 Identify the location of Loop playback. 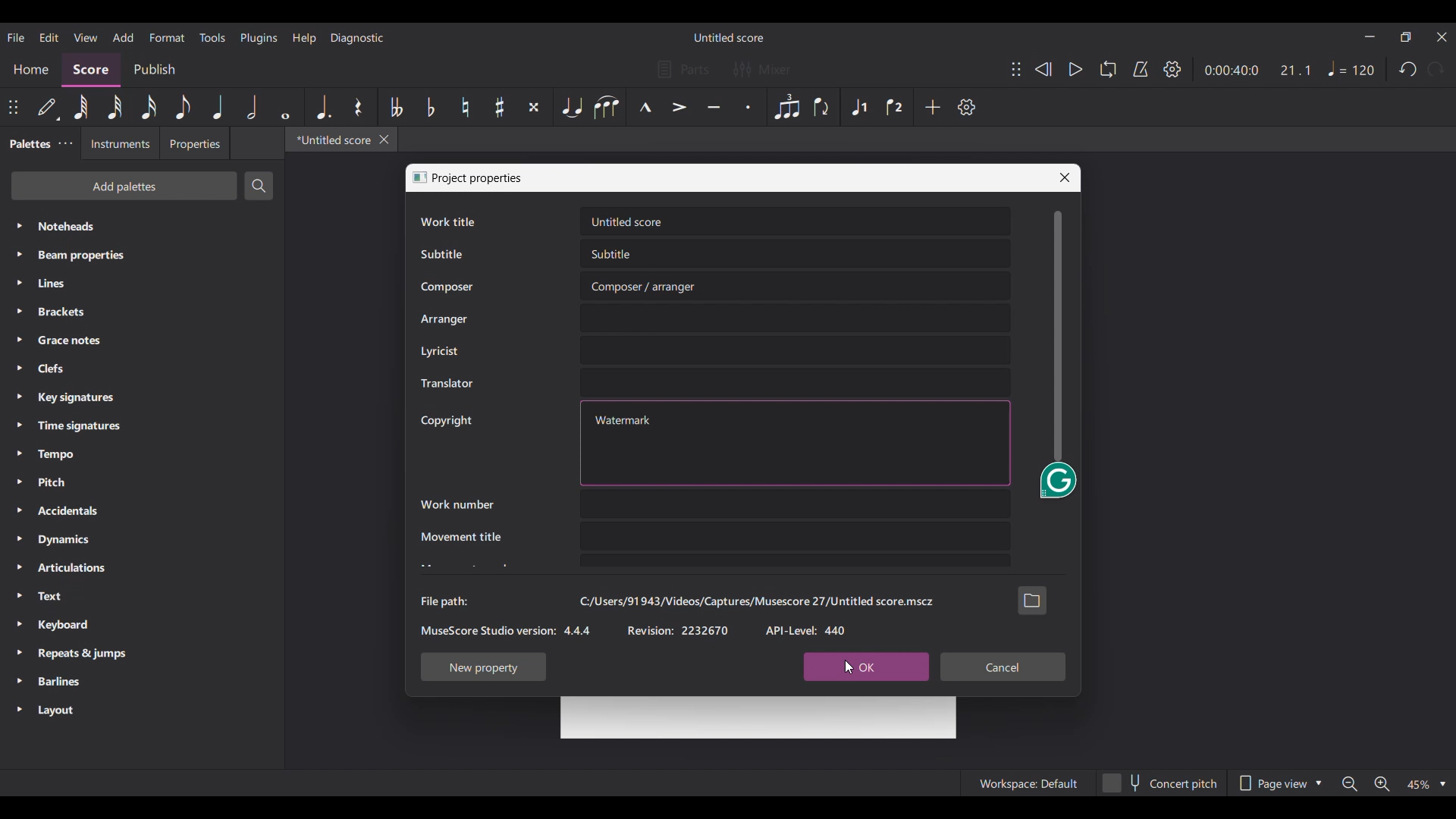
(1109, 69).